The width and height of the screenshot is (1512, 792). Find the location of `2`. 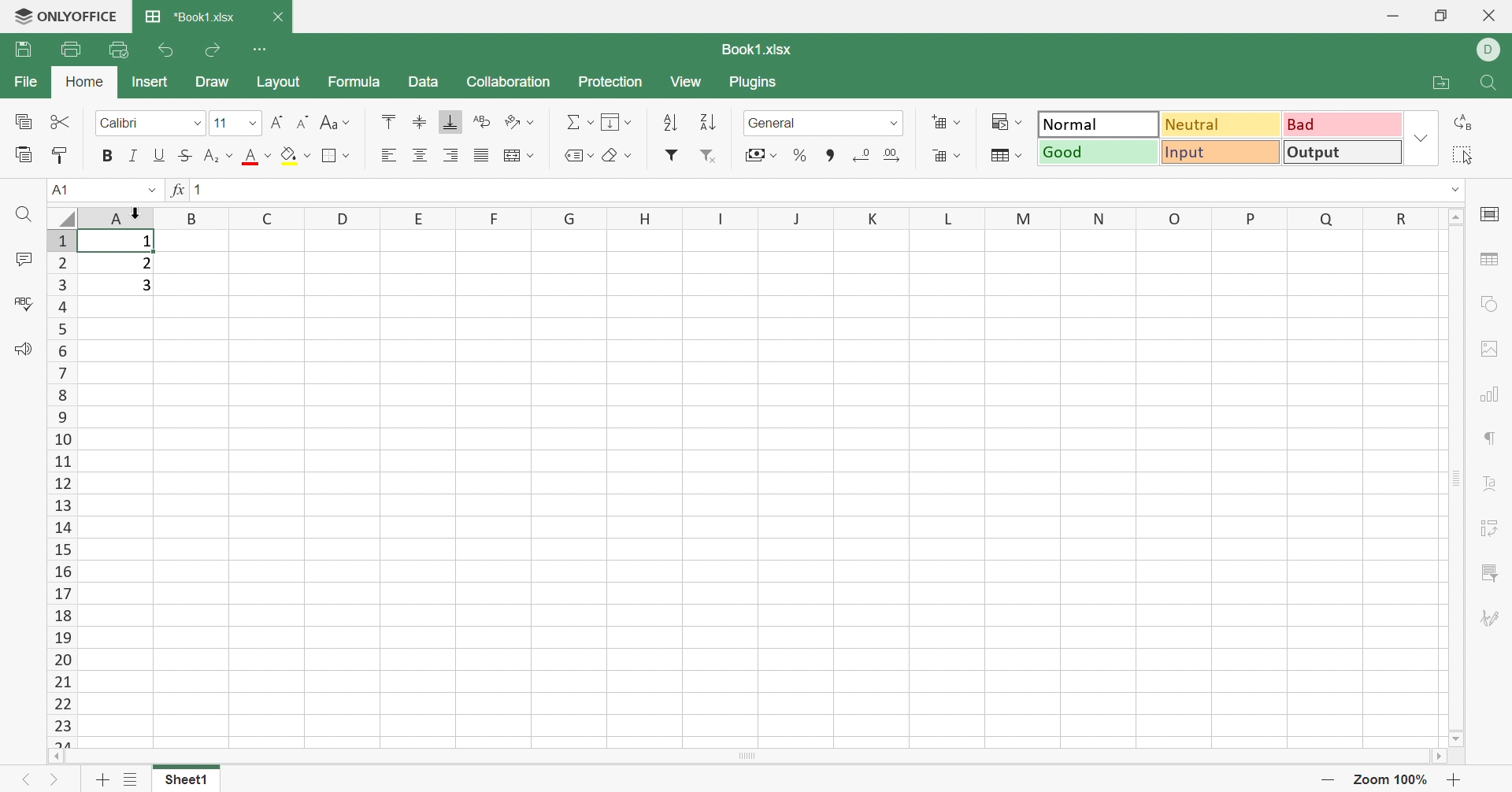

2 is located at coordinates (144, 264).